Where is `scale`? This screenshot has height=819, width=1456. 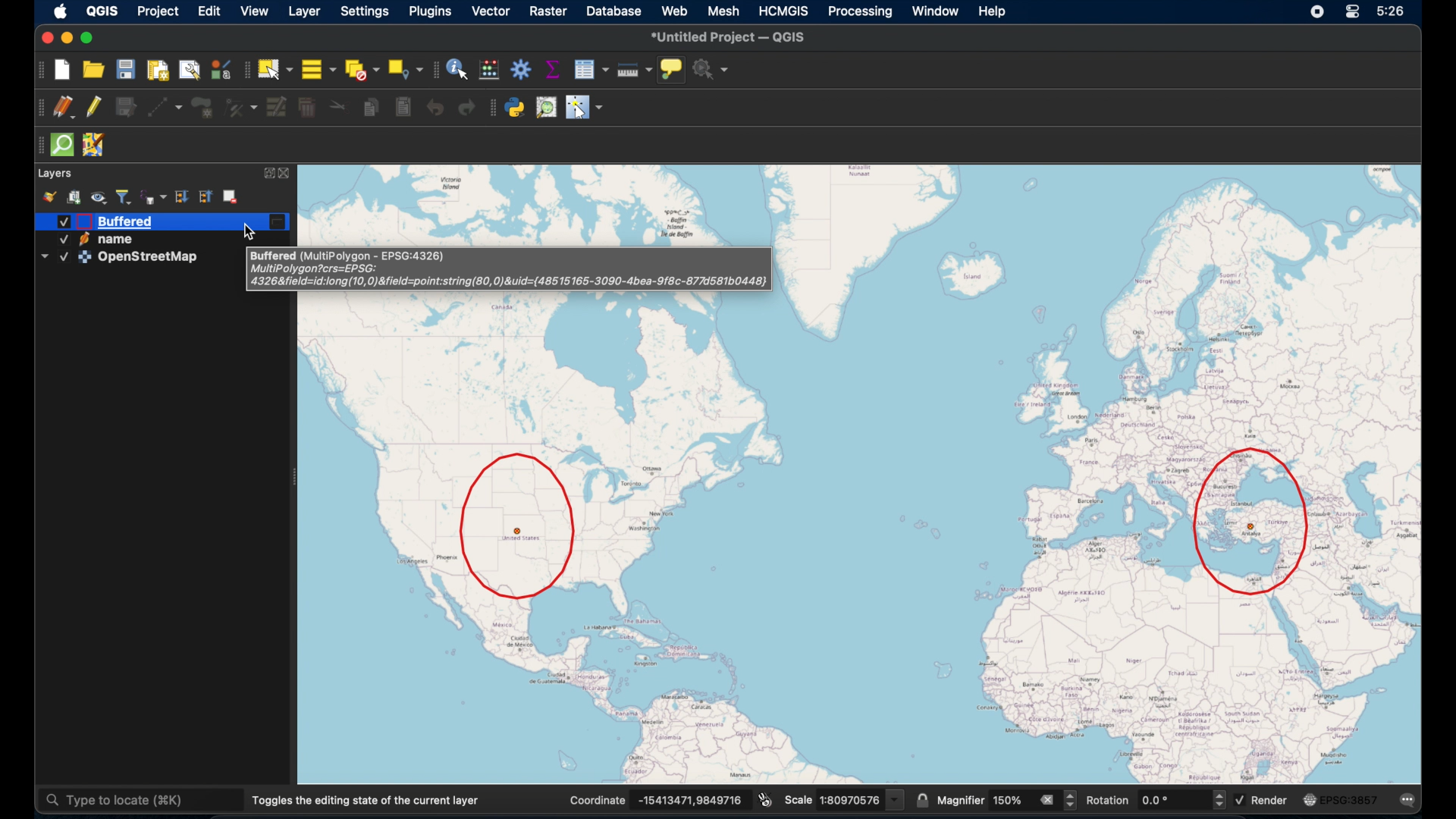 scale is located at coordinates (798, 800).